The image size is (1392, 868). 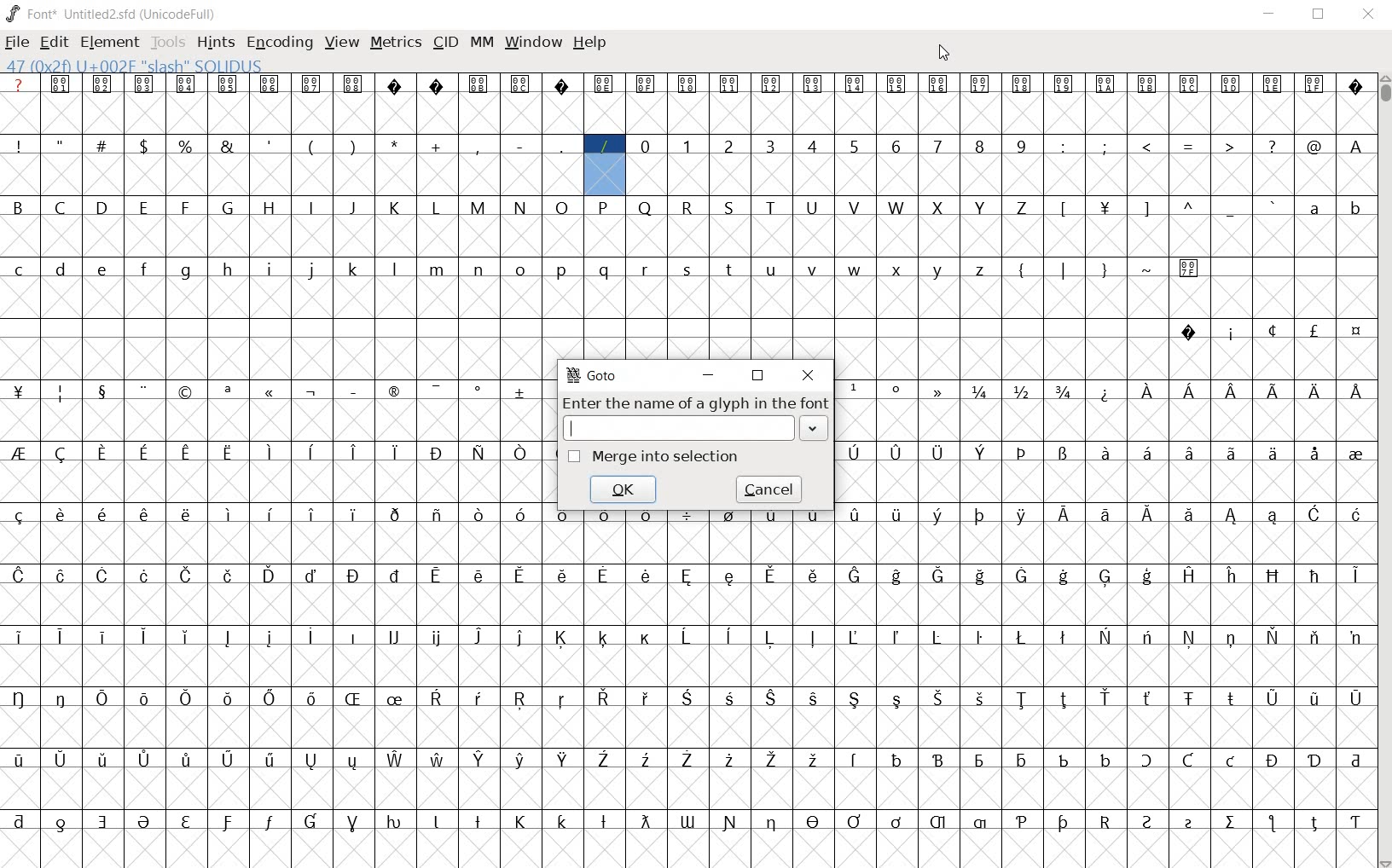 I want to click on glyph, so click(x=1190, y=515).